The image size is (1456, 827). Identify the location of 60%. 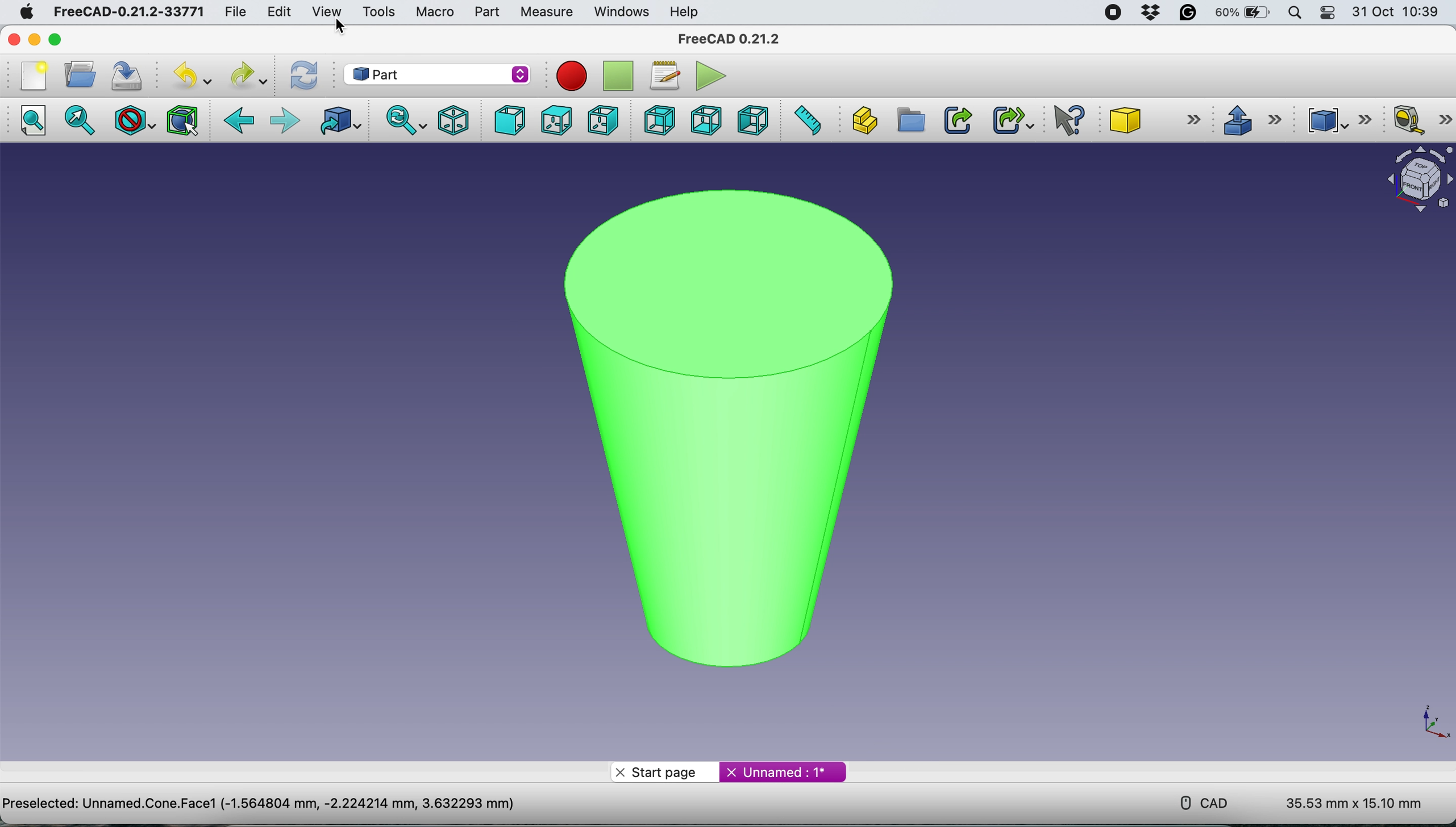
(1242, 14).